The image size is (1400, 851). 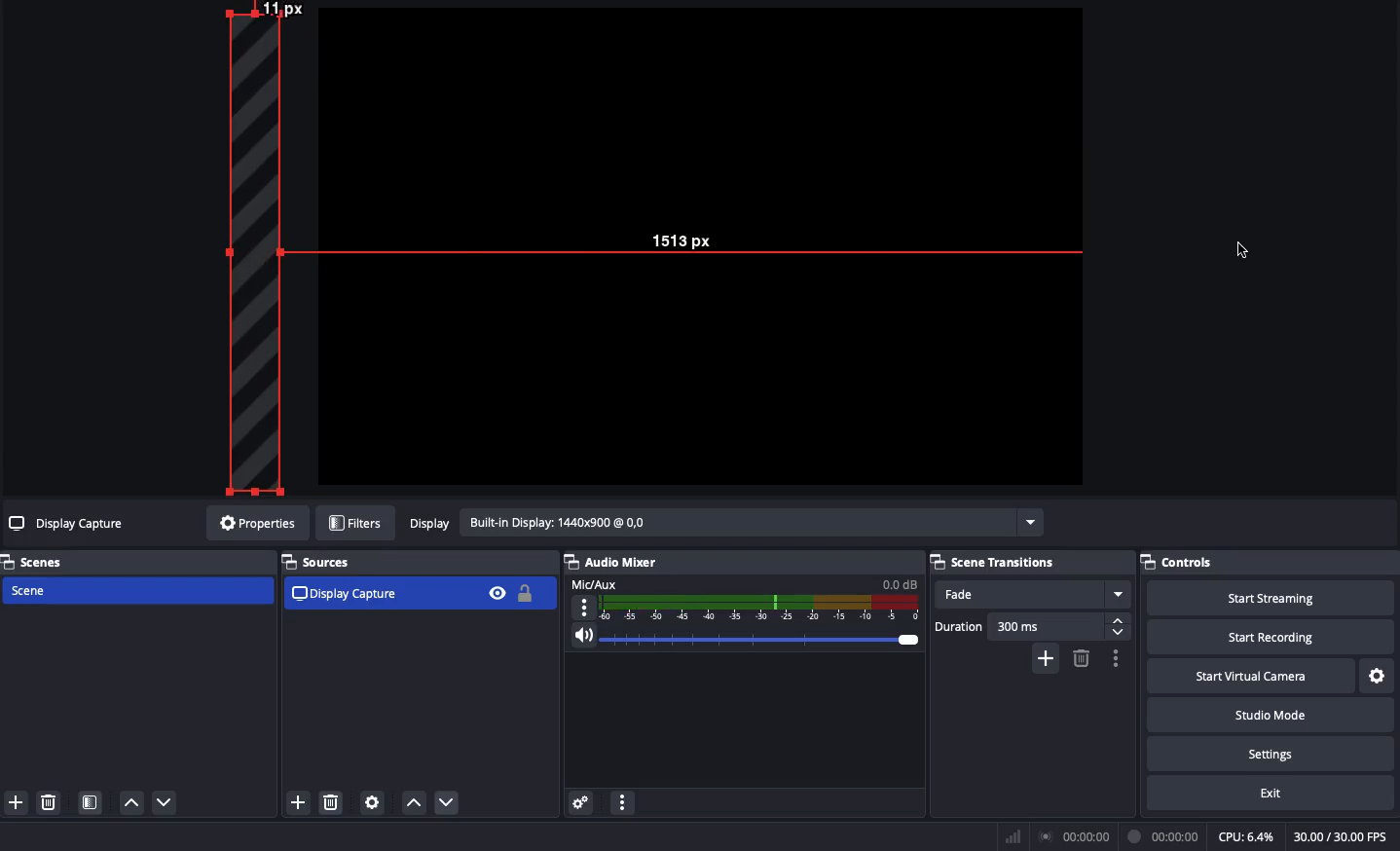 I want to click on Studio mode, so click(x=1269, y=713).